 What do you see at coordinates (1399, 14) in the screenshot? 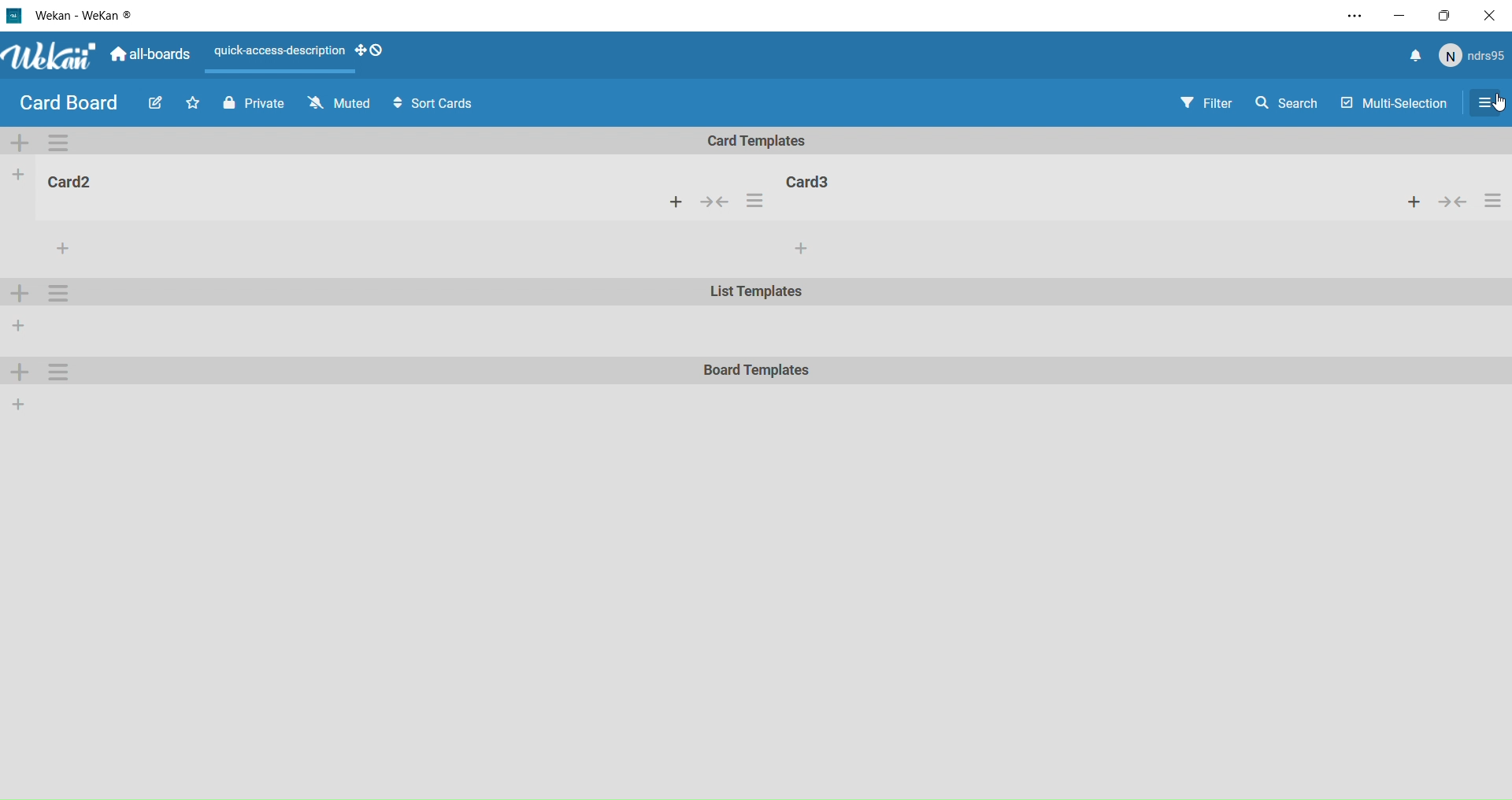
I see `minimize` at bounding box center [1399, 14].